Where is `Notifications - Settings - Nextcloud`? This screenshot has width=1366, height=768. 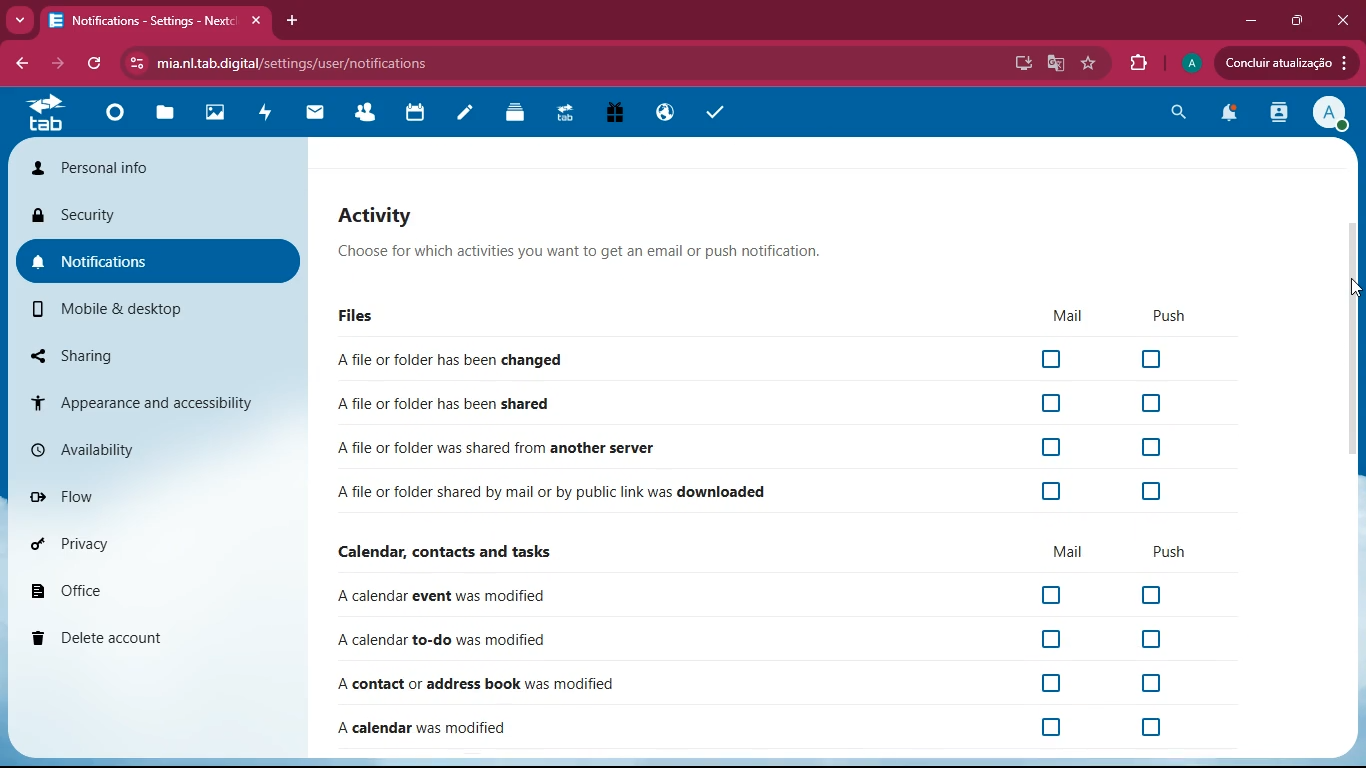
Notifications - Settings - Nextcloud is located at coordinates (156, 19).